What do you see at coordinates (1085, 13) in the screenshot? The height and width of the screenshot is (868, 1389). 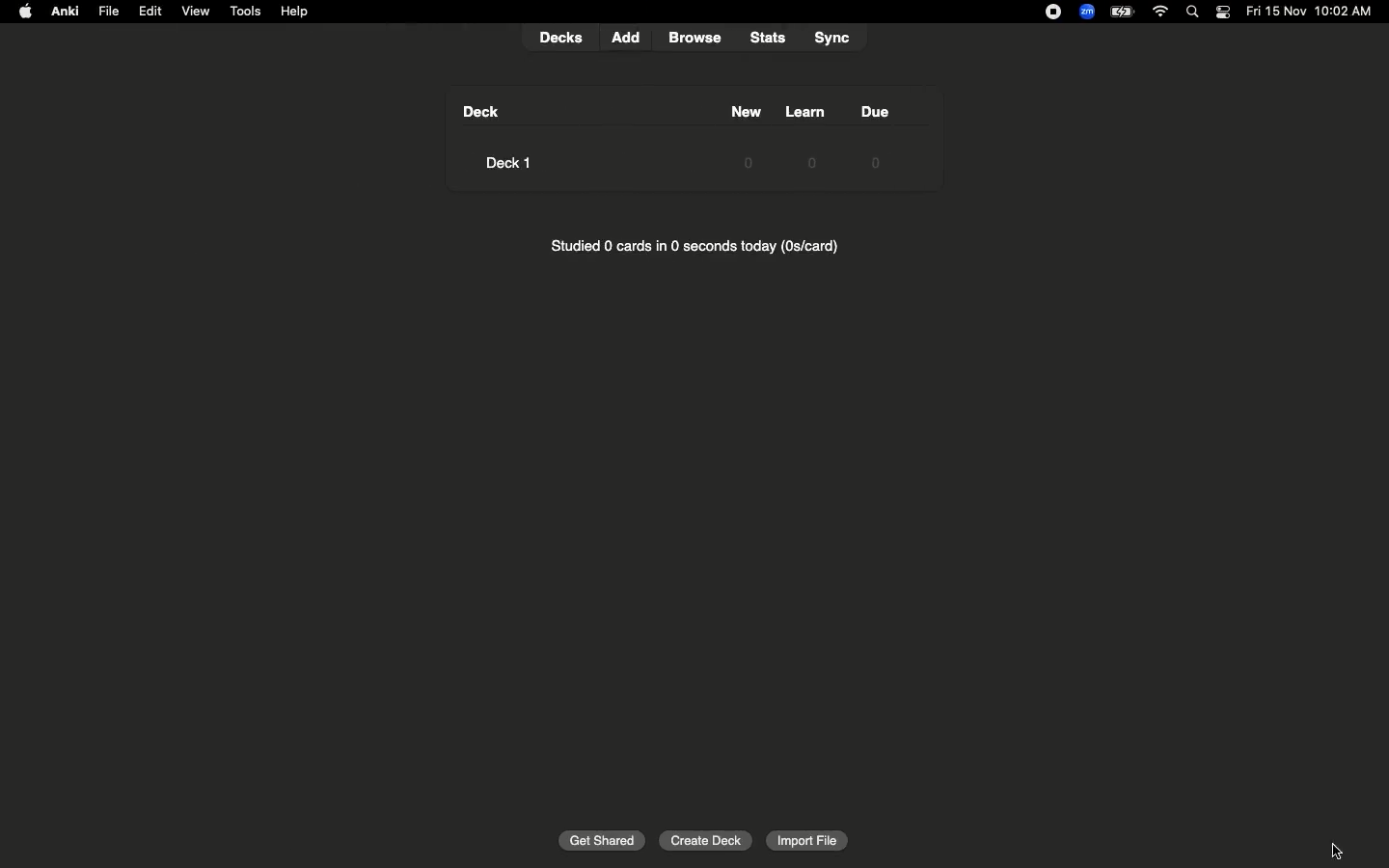 I see `Zoom` at bounding box center [1085, 13].